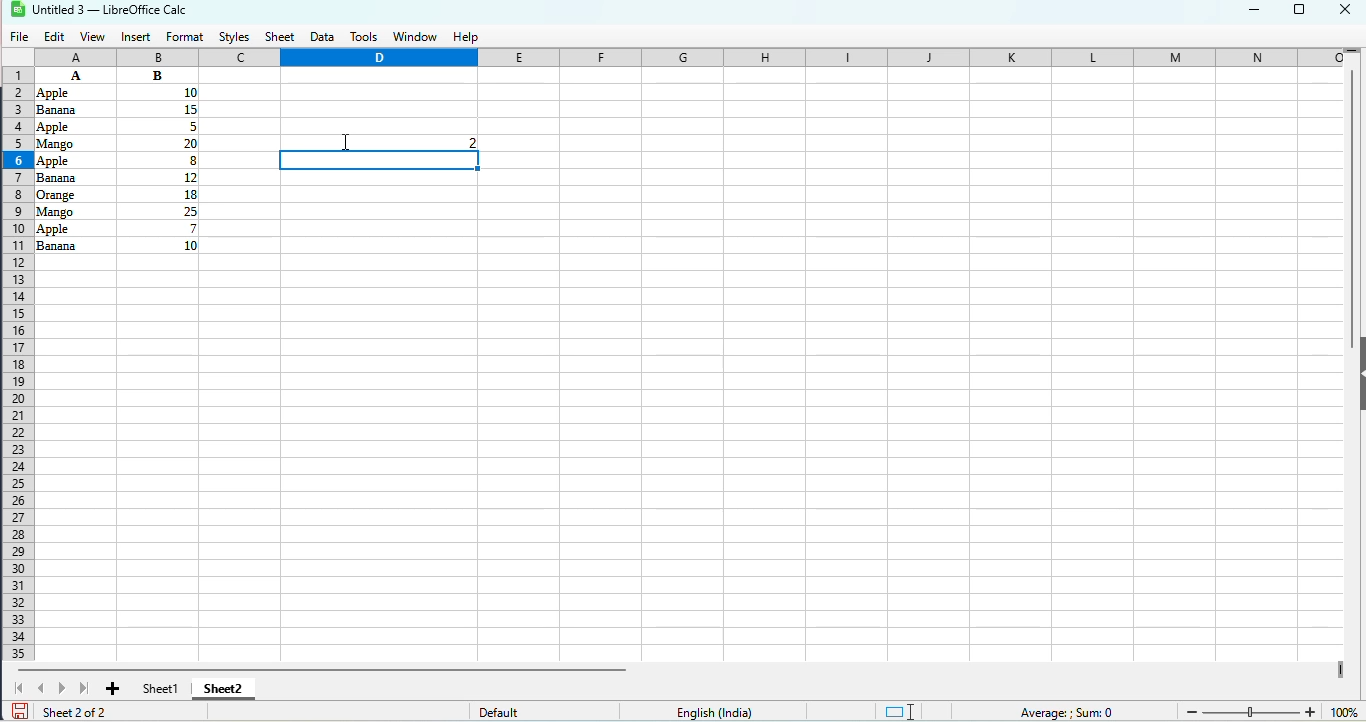  What do you see at coordinates (499, 708) in the screenshot?
I see `default` at bounding box center [499, 708].